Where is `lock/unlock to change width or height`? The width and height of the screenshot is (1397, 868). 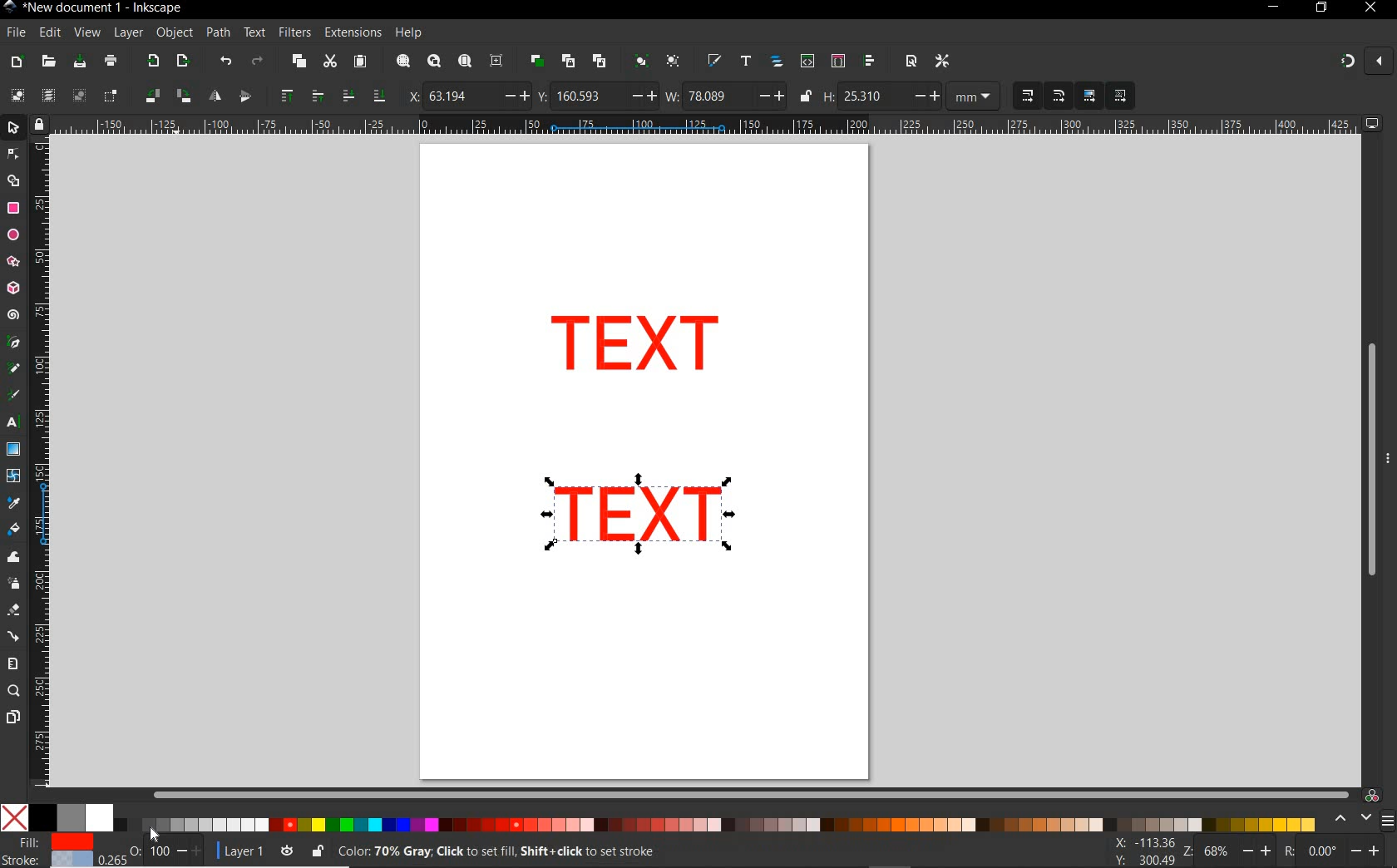 lock/unlock to change width or height is located at coordinates (805, 96).